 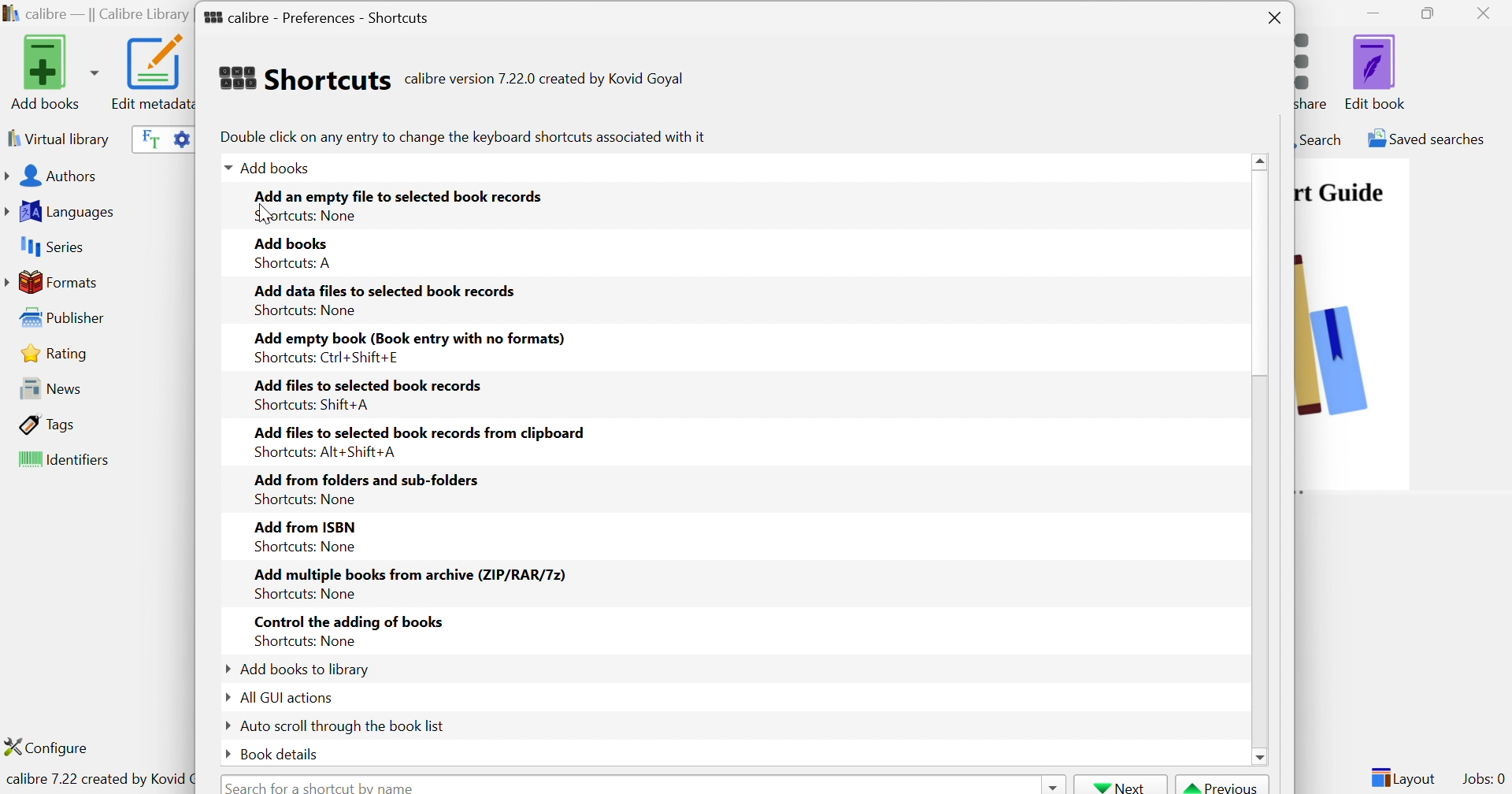 I want to click on Shortcuts: Shift+A, so click(x=312, y=406).